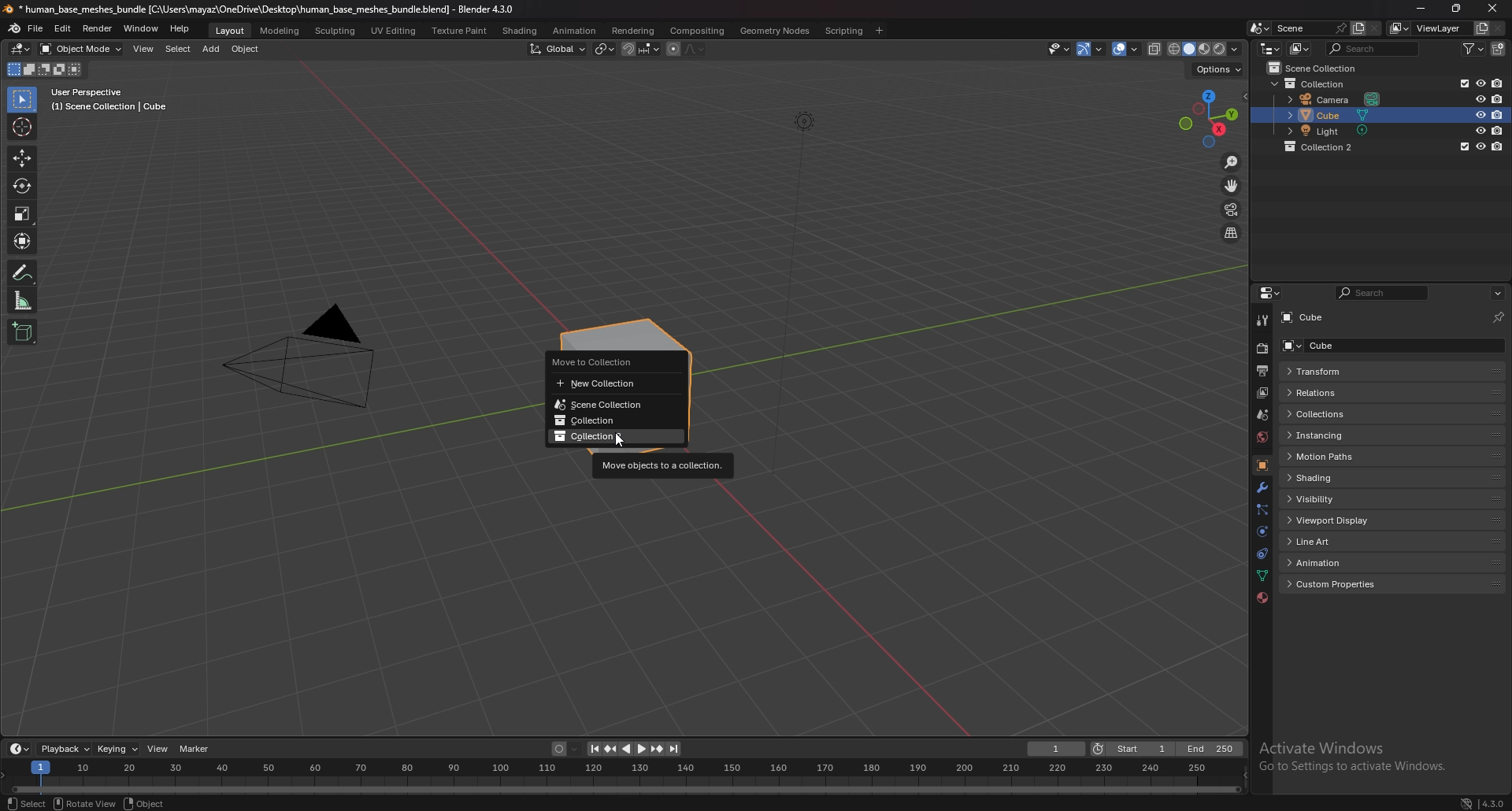 The height and width of the screenshot is (811, 1512). What do you see at coordinates (1263, 320) in the screenshot?
I see `tool` at bounding box center [1263, 320].